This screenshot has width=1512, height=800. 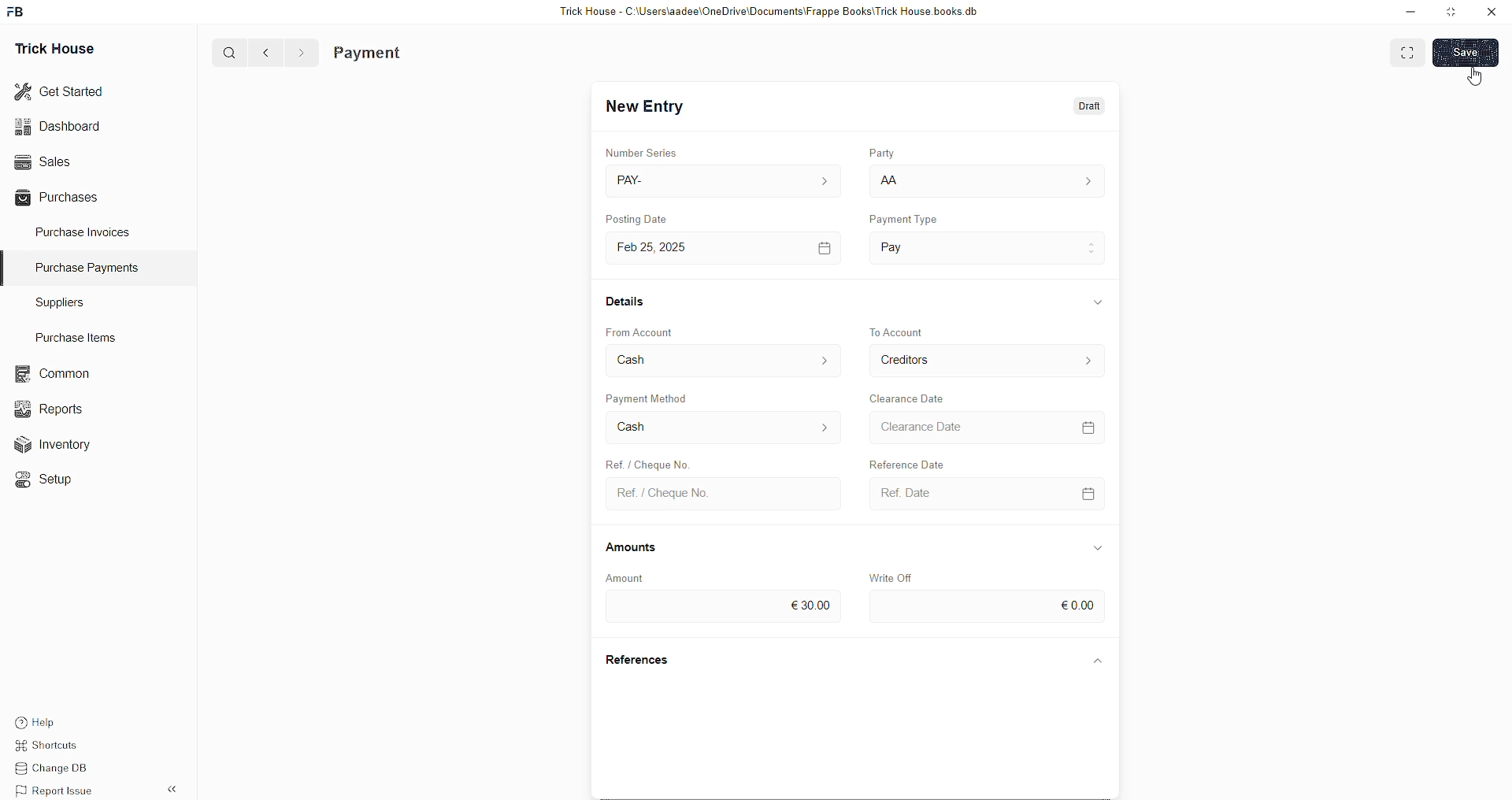 I want to click on Cash, so click(x=646, y=359).